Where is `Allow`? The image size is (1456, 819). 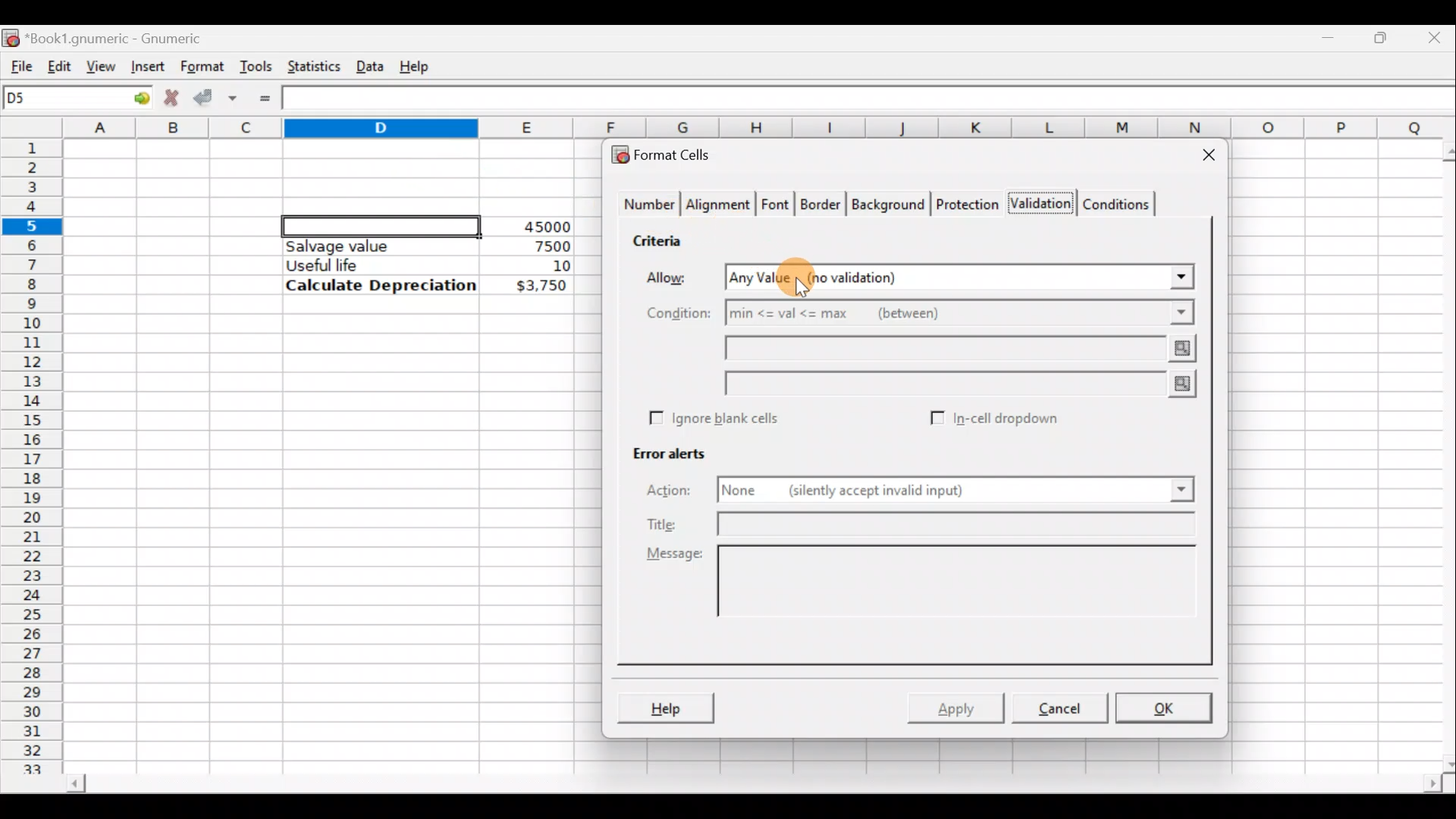 Allow is located at coordinates (672, 275).